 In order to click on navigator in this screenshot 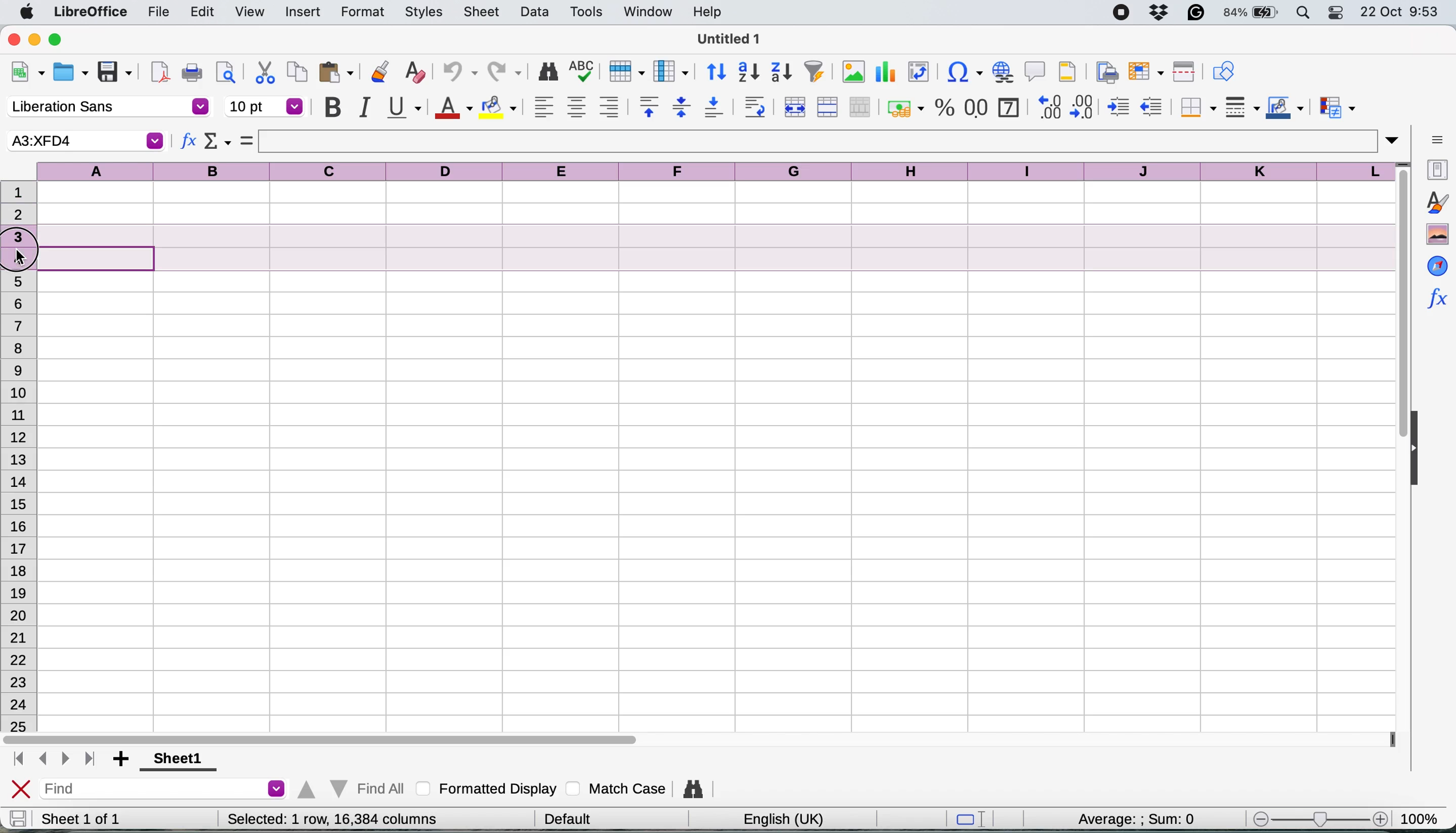, I will do `click(1437, 265)`.